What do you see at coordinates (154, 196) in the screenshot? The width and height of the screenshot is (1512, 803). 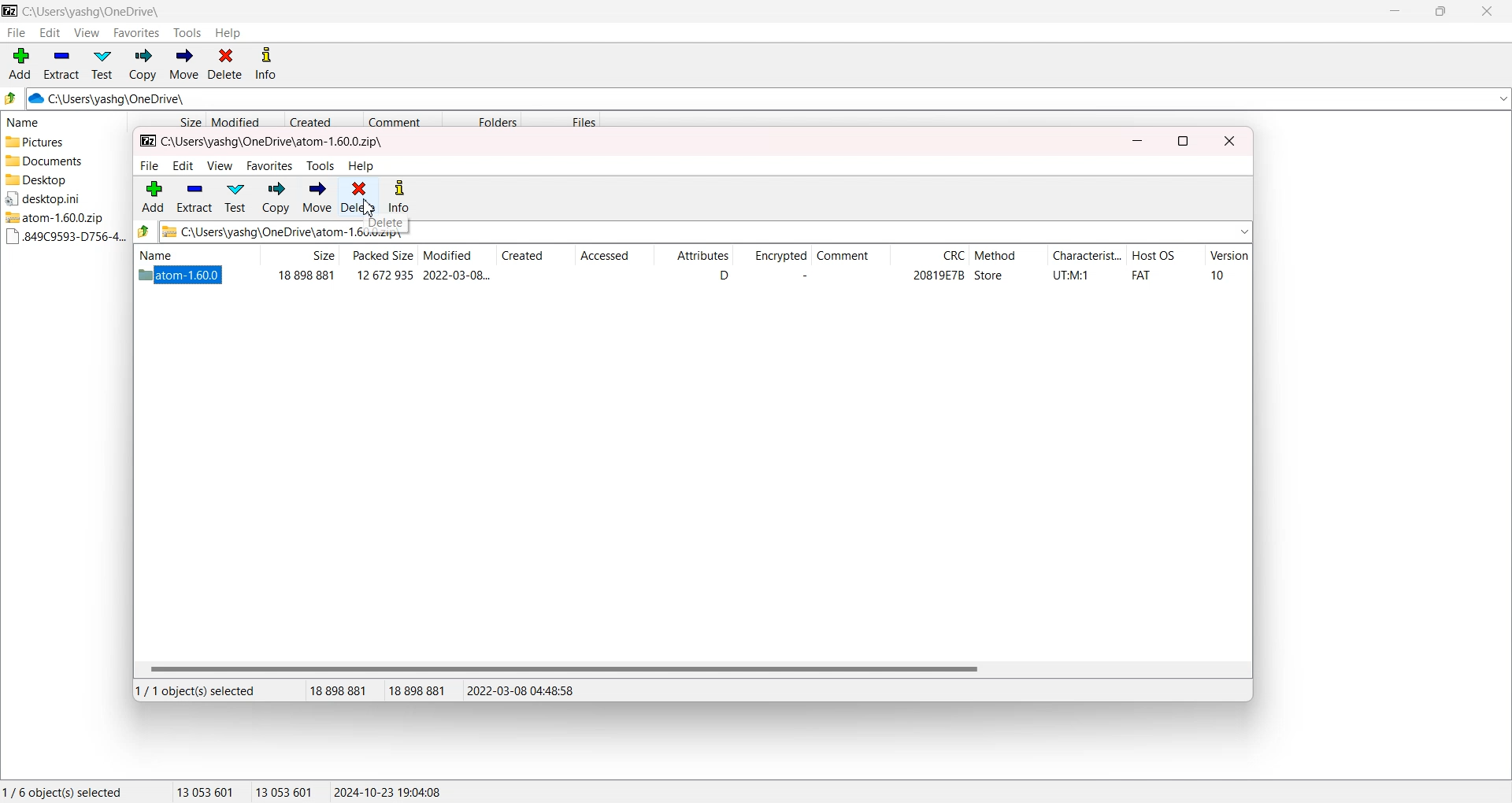 I see `add` at bounding box center [154, 196].